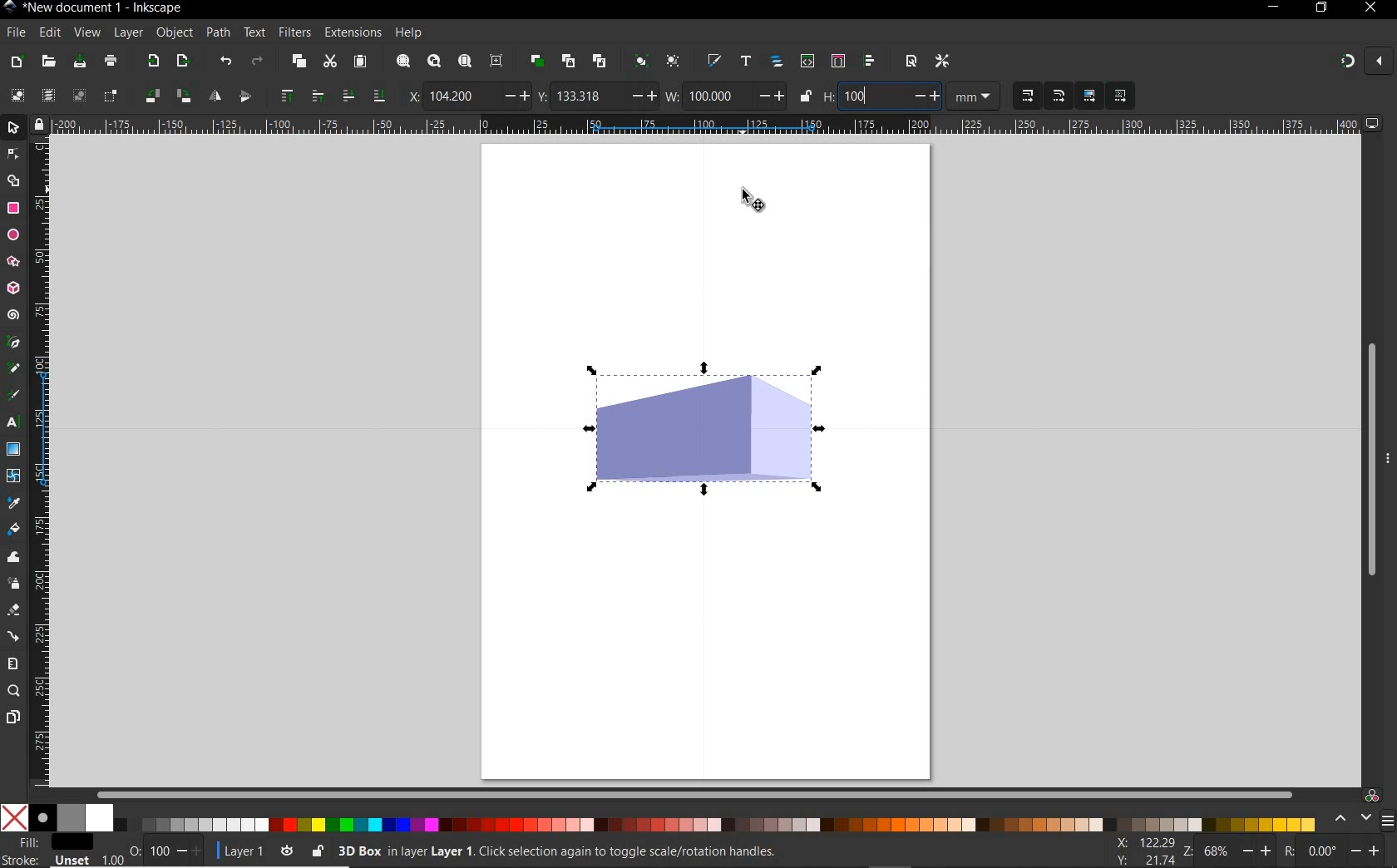  I want to click on selector tool, so click(758, 203).